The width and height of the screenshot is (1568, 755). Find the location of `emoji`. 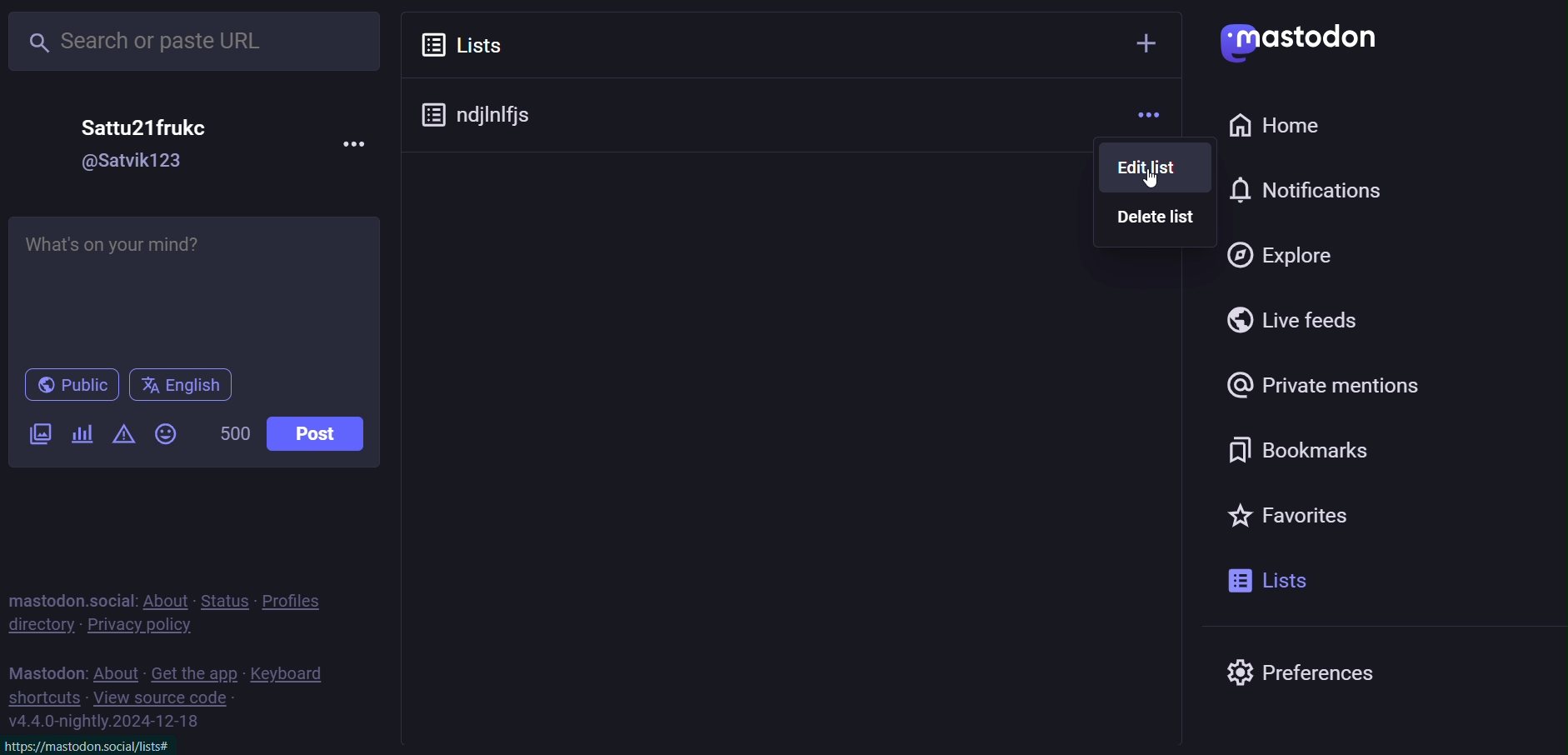

emoji is located at coordinates (165, 433).